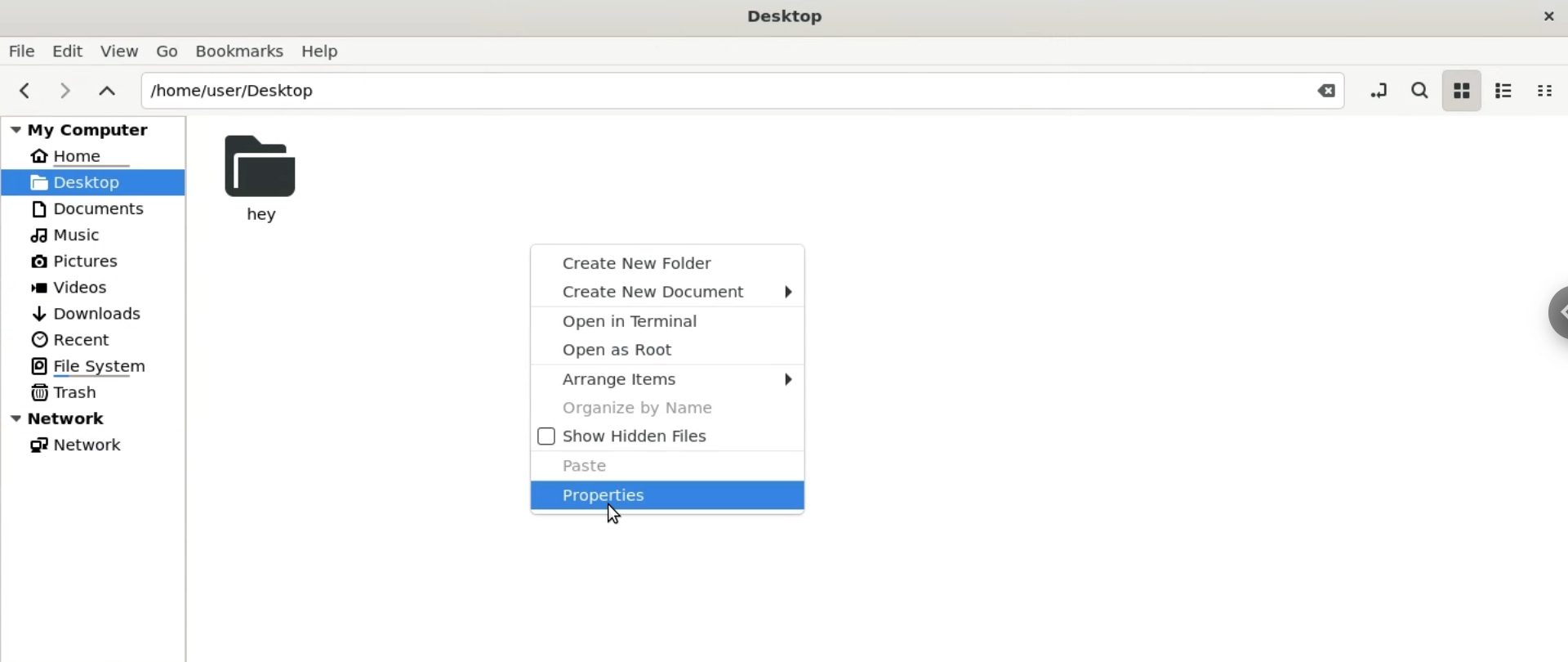 This screenshot has height=662, width=1568. What do you see at coordinates (89, 259) in the screenshot?
I see `pictures` at bounding box center [89, 259].